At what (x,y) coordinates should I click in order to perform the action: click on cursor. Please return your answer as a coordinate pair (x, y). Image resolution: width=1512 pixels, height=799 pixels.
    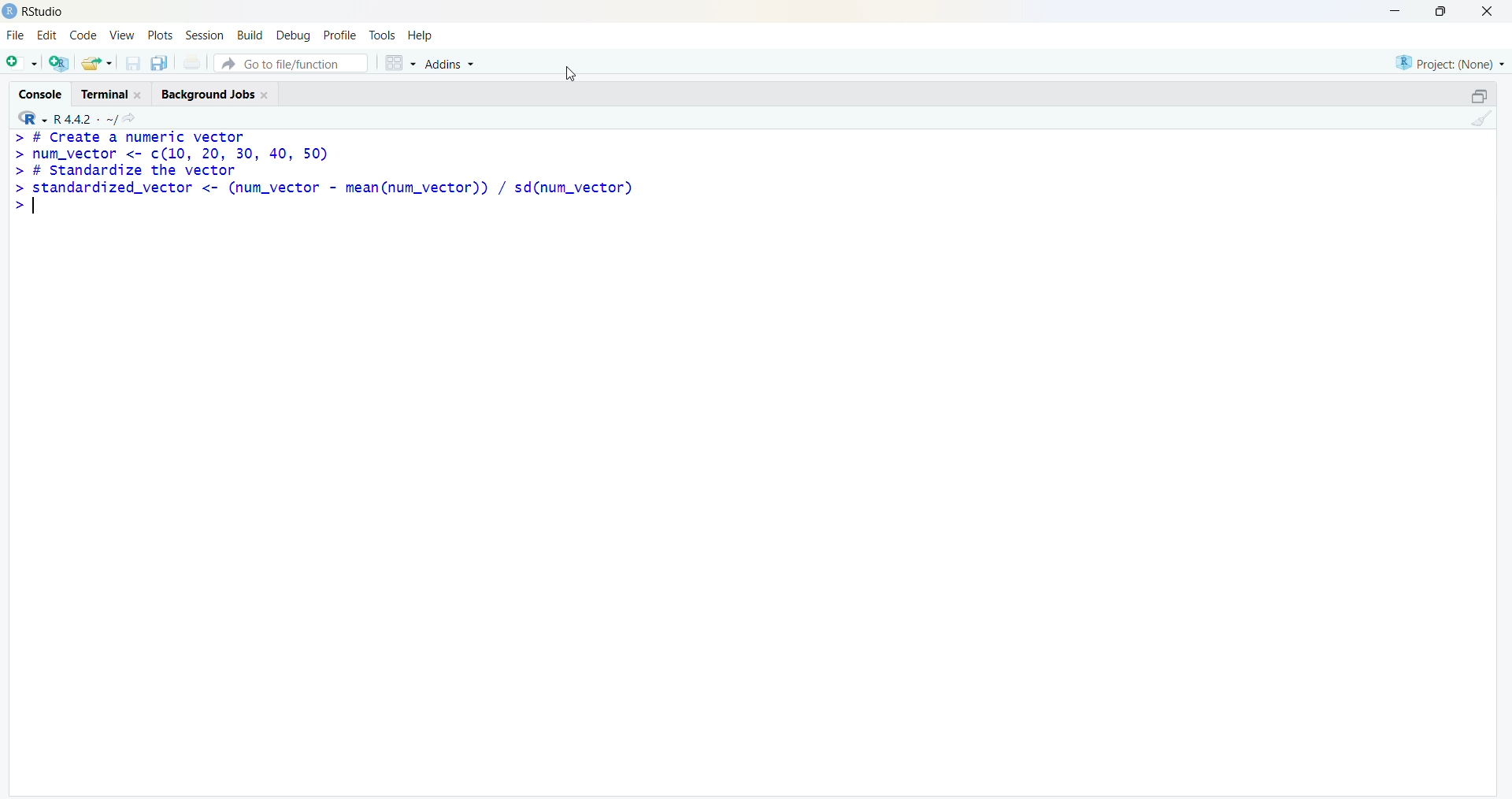
    Looking at the image, I should click on (571, 73).